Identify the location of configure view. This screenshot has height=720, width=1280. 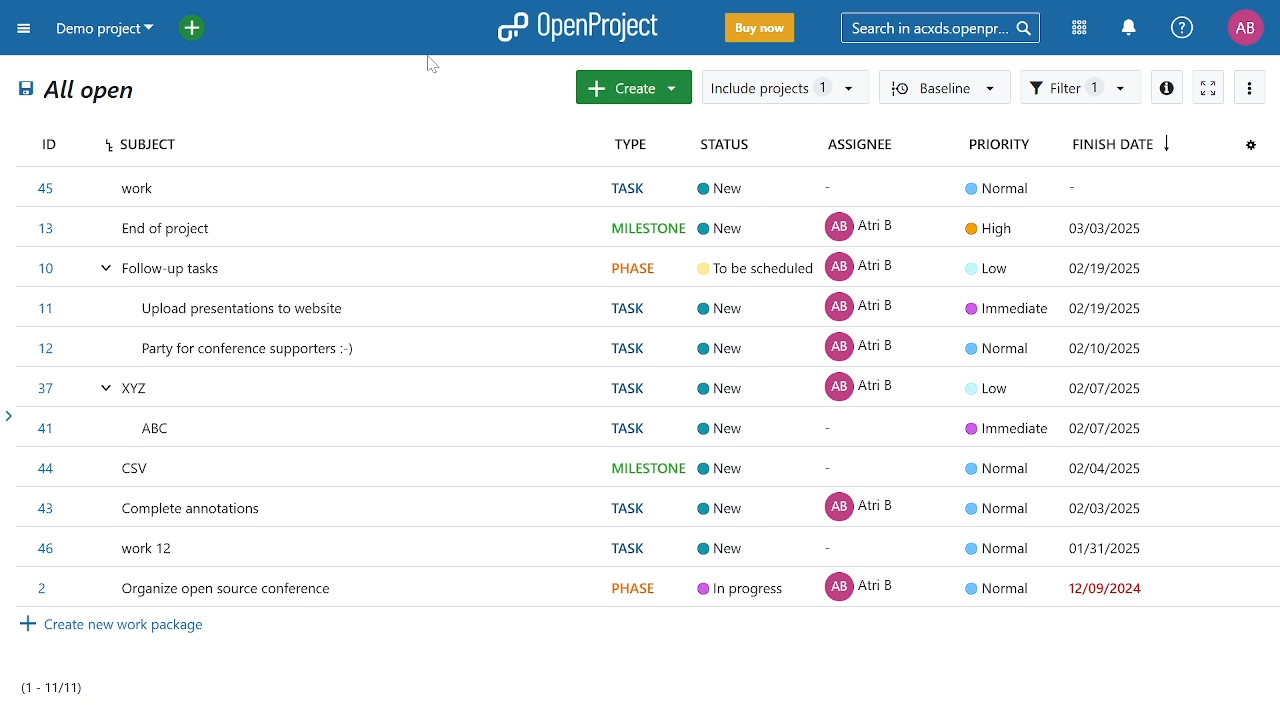
(1248, 147).